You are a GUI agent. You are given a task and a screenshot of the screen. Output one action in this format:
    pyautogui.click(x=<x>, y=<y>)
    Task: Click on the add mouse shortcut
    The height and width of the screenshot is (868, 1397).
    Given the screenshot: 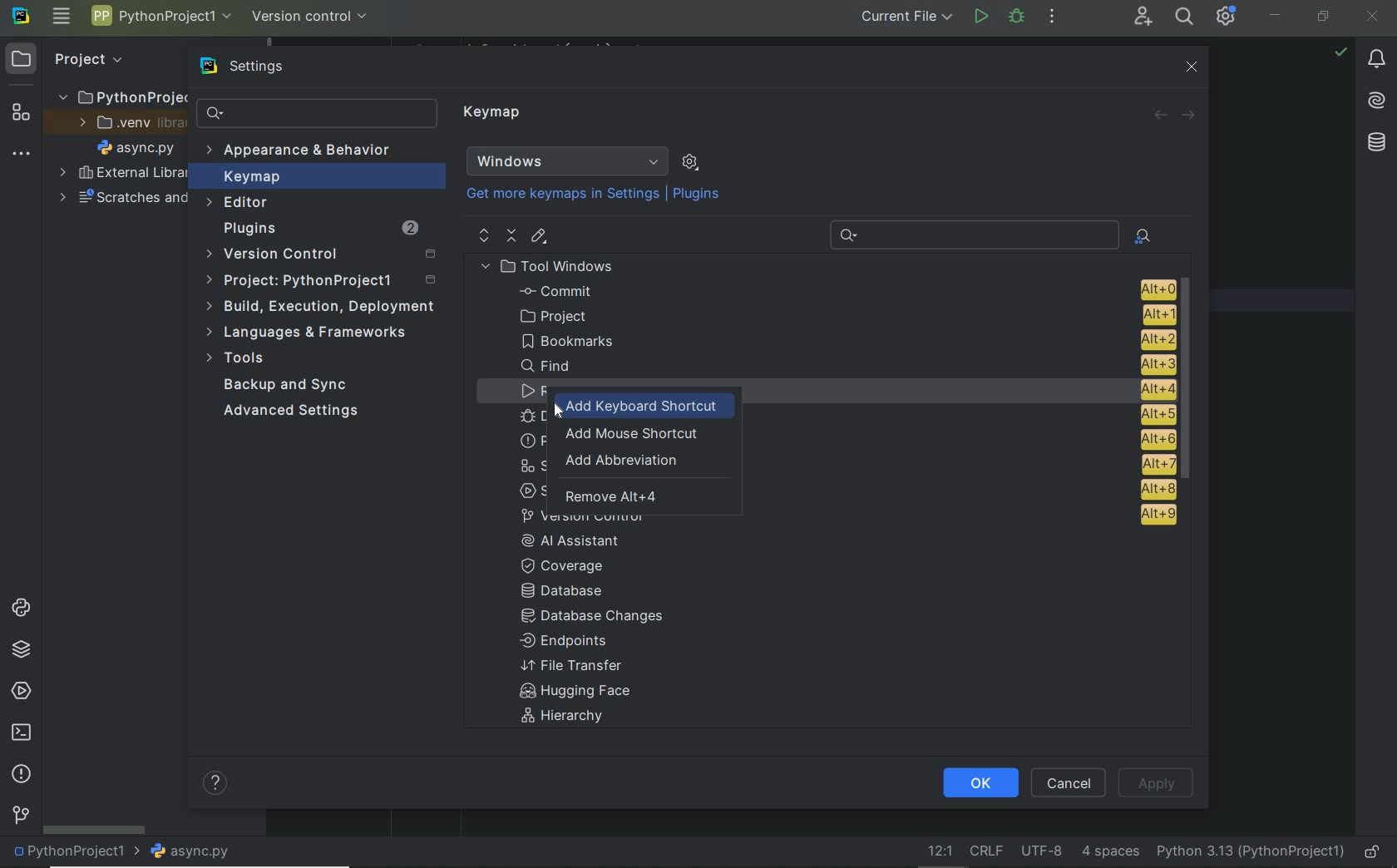 What is the action you would take?
    pyautogui.click(x=630, y=434)
    